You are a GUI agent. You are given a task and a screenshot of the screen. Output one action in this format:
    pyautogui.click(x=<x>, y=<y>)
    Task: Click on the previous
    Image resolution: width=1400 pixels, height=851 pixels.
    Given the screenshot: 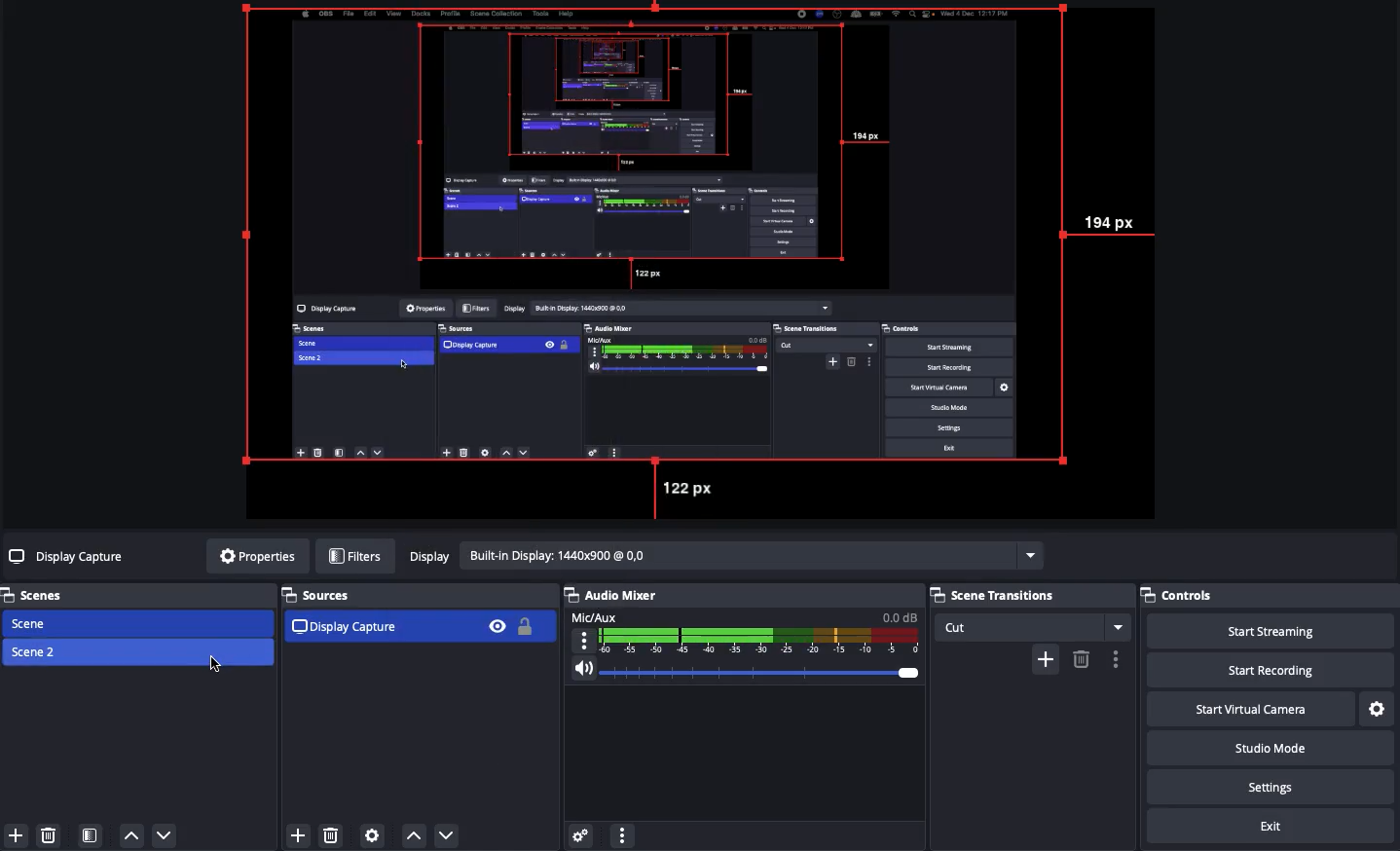 What is the action you would take?
    pyautogui.click(x=414, y=835)
    